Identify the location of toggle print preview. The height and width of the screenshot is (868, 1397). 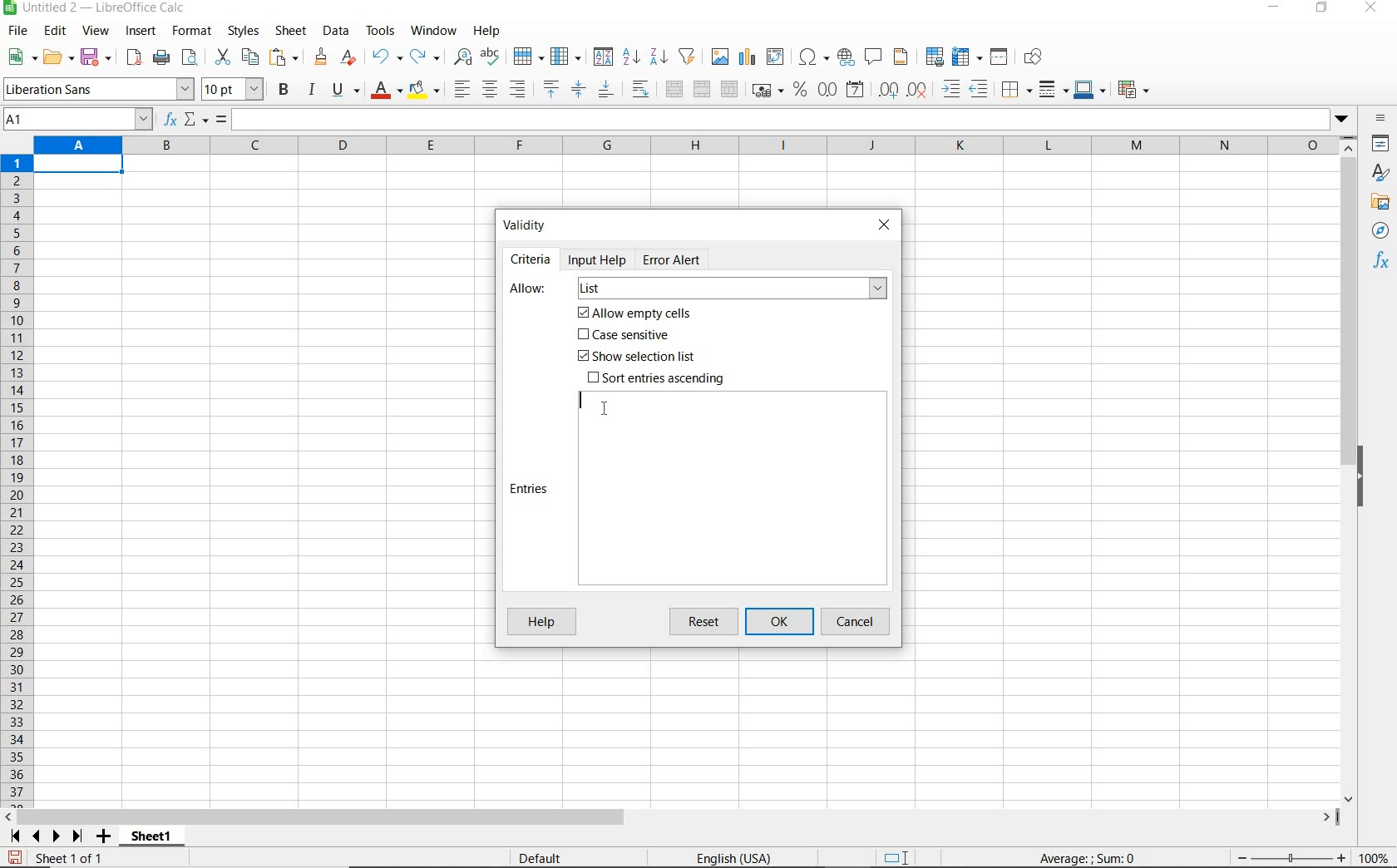
(192, 59).